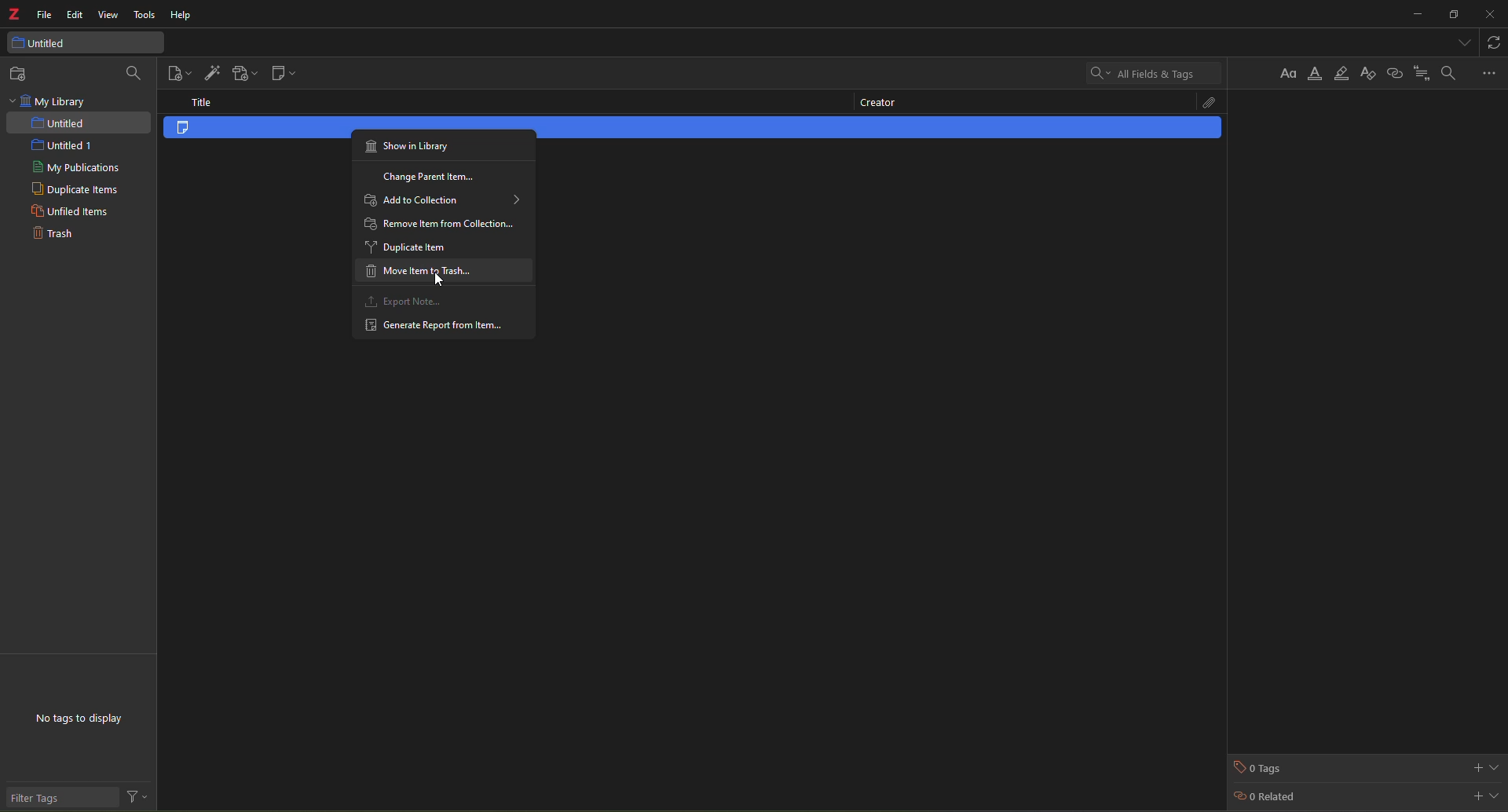 Image resolution: width=1508 pixels, height=812 pixels. What do you see at coordinates (75, 15) in the screenshot?
I see `edit` at bounding box center [75, 15].